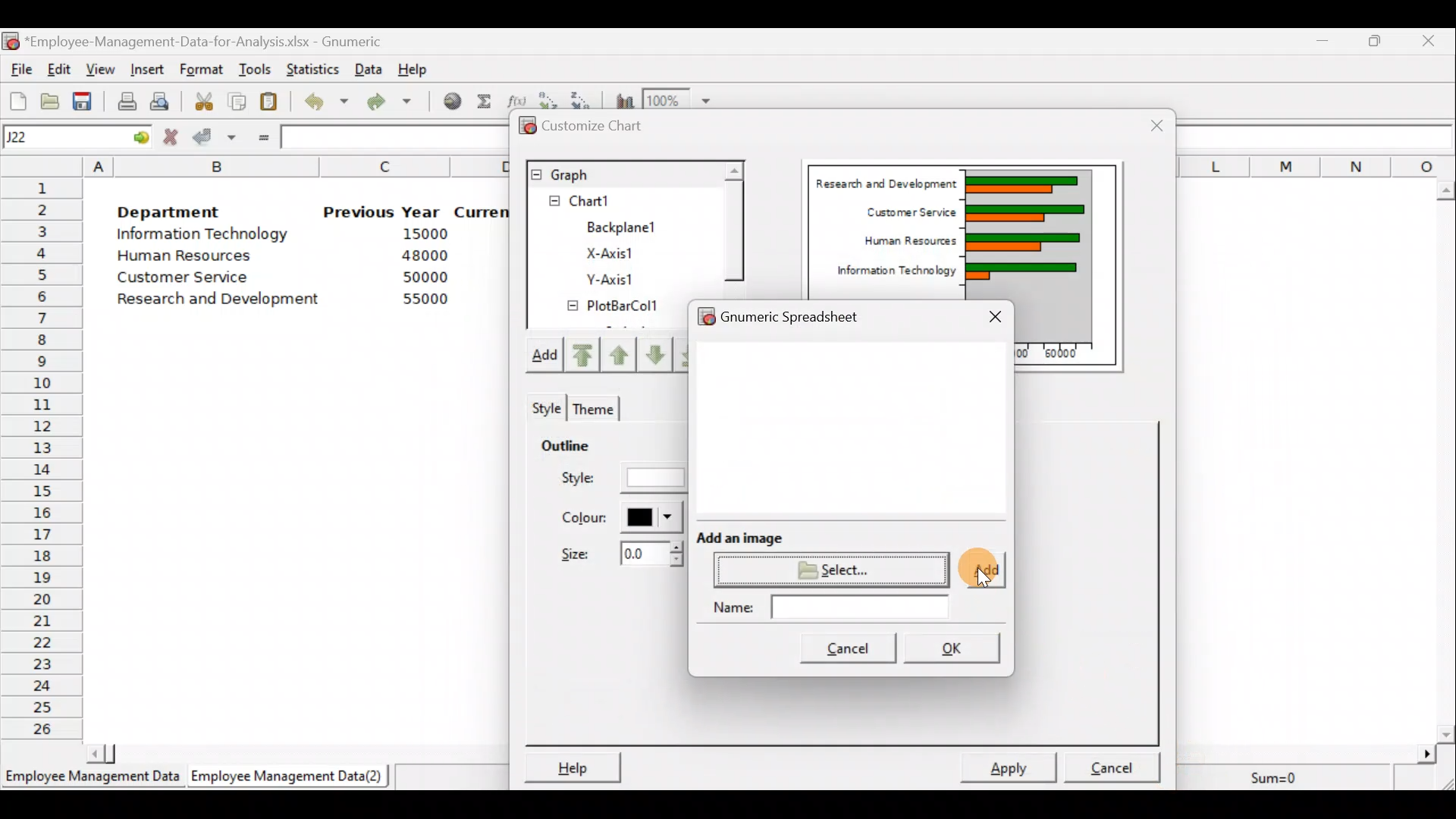 The image size is (1456, 819). Describe the element at coordinates (549, 98) in the screenshot. I see `Sort in Ascending order` at that location.